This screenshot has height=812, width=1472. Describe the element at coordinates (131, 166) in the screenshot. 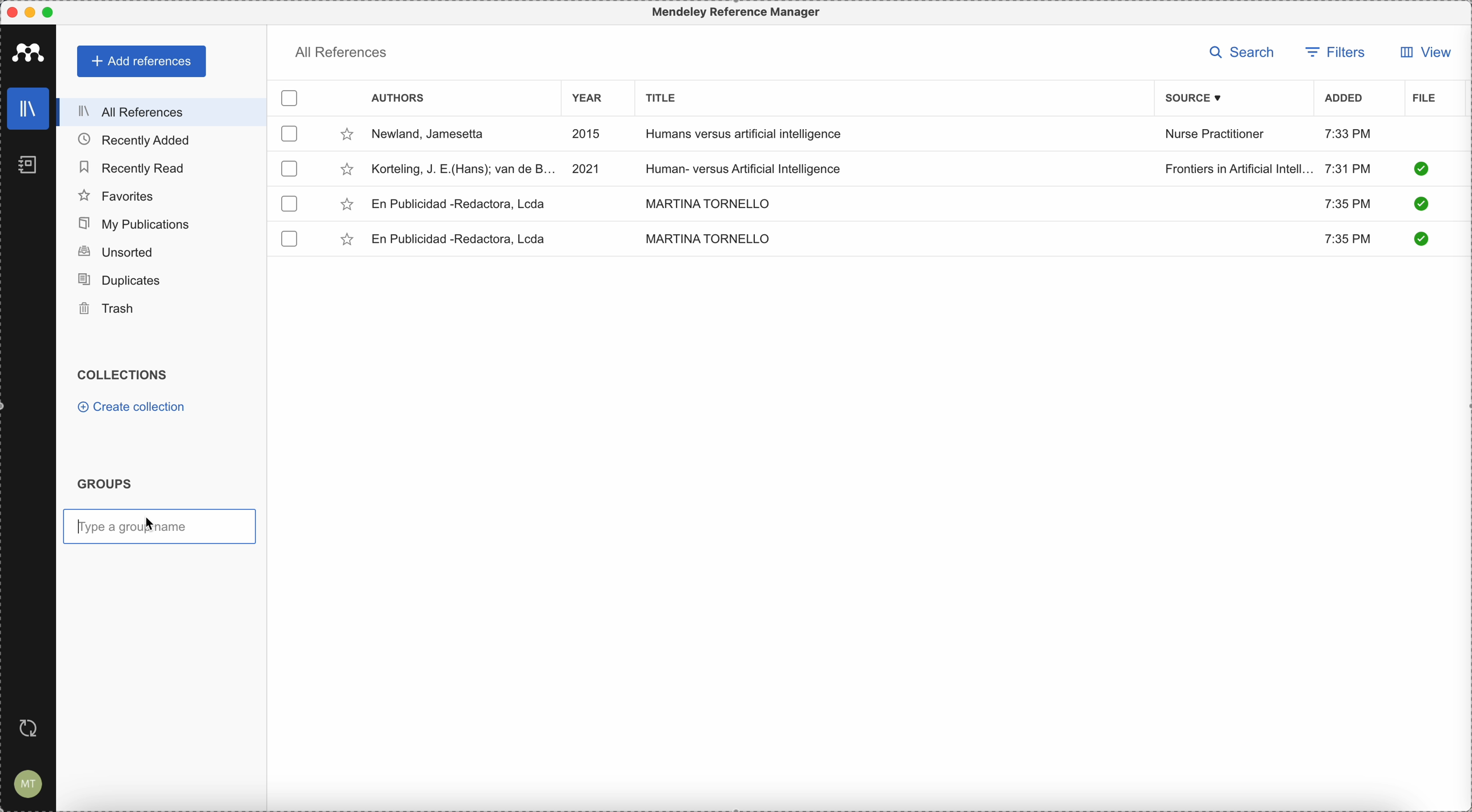

I see `recently read` at that location.